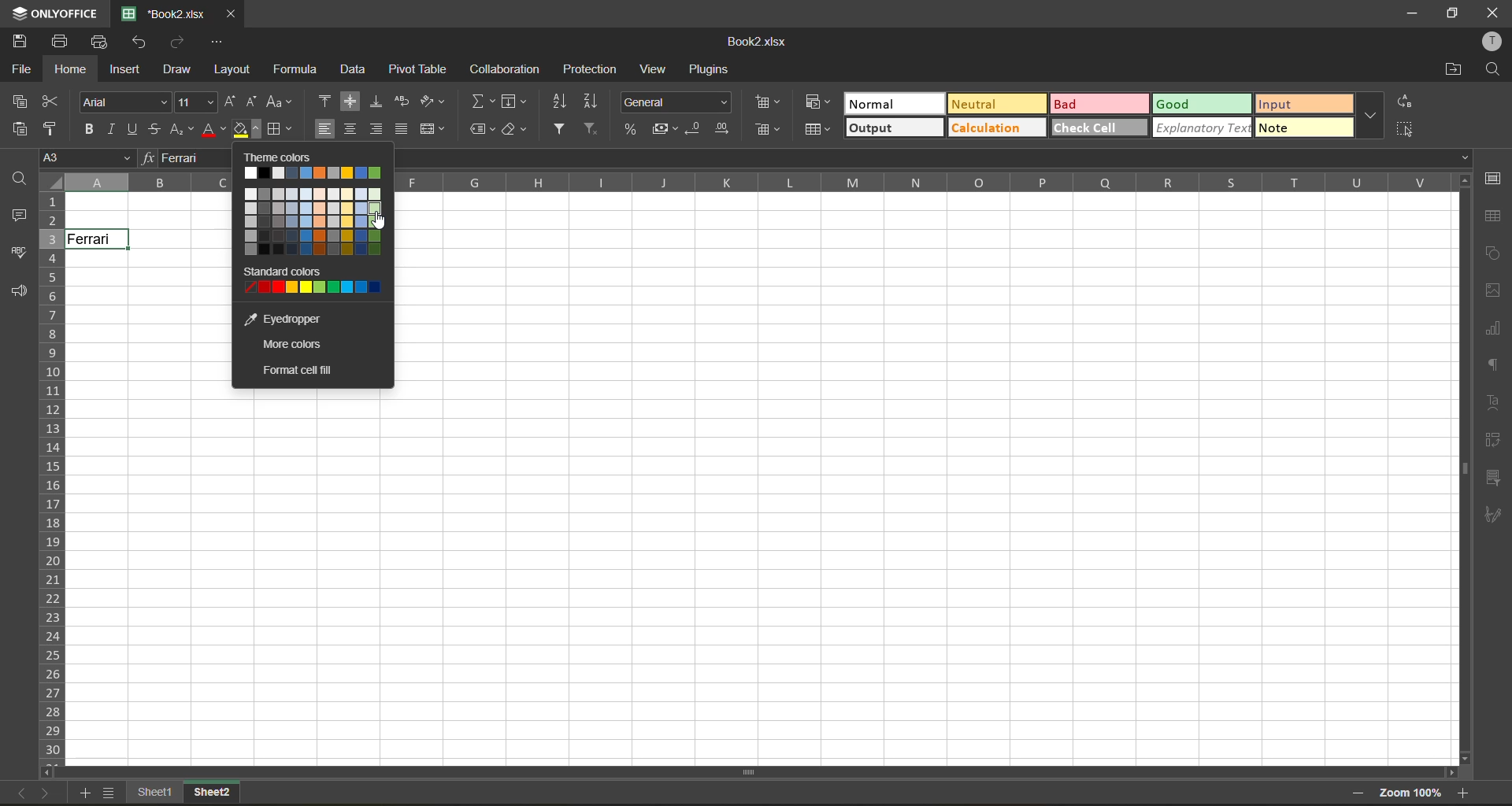 The image size is (1512, 806). I want to click on app name, so click(53, 12).